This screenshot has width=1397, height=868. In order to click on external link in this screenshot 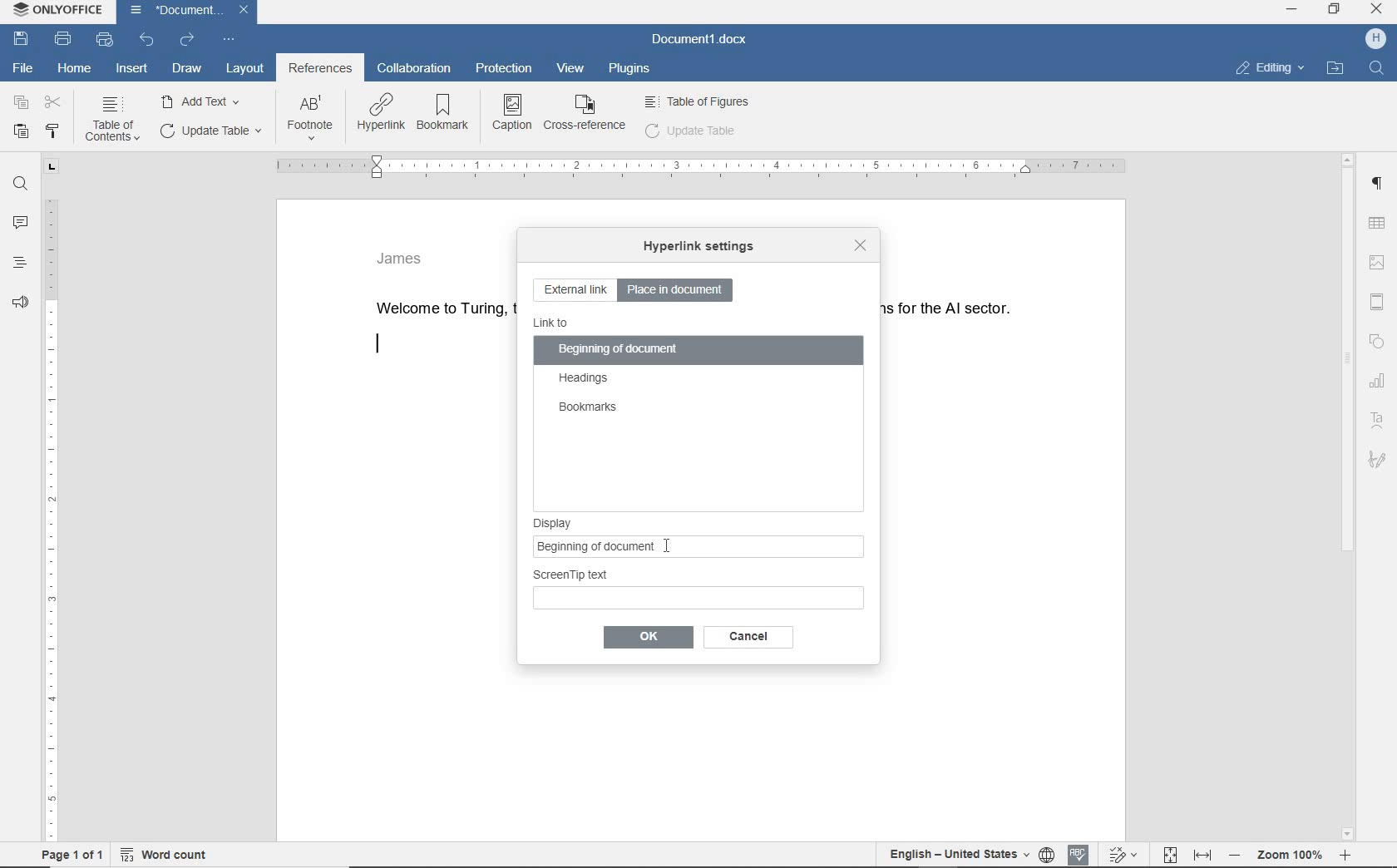, I will do `click(575, 291)`.